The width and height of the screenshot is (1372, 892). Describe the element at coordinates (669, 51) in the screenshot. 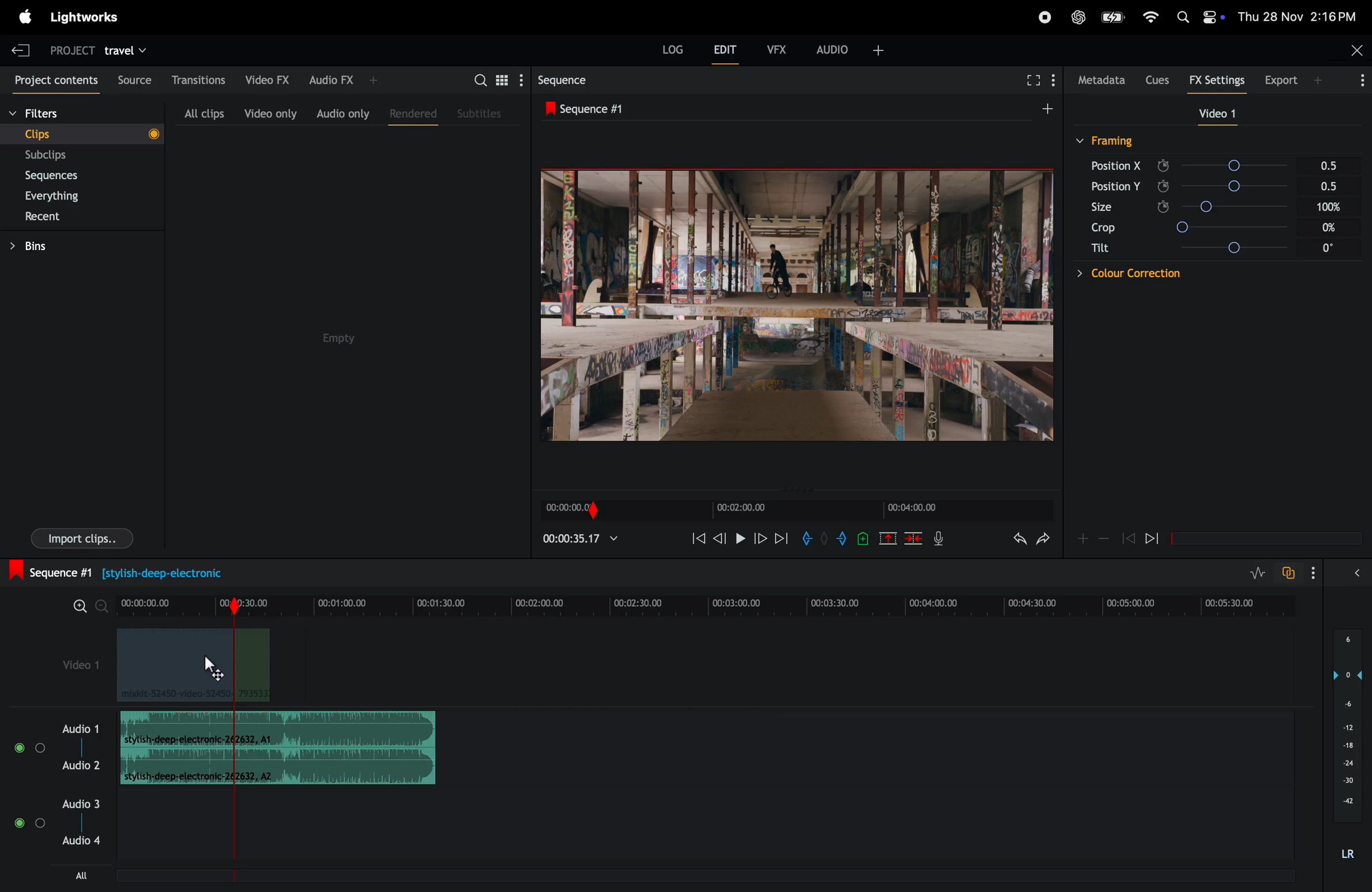

I see `log` at that location.